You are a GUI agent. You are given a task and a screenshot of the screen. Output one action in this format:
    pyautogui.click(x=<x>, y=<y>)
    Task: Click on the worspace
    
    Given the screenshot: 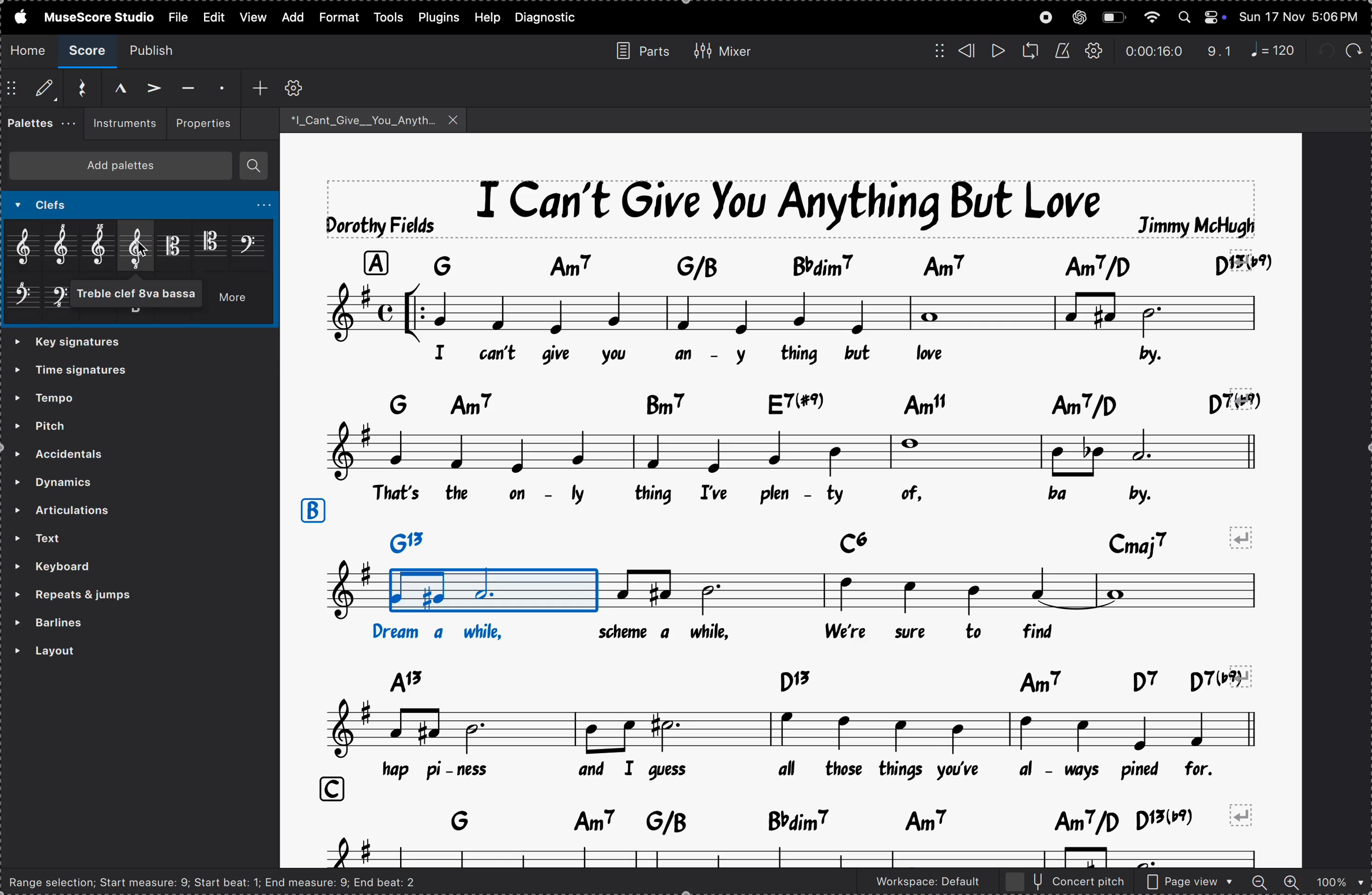 What is the action you would take?
    pyautogui.click(x=917, y=884)
    